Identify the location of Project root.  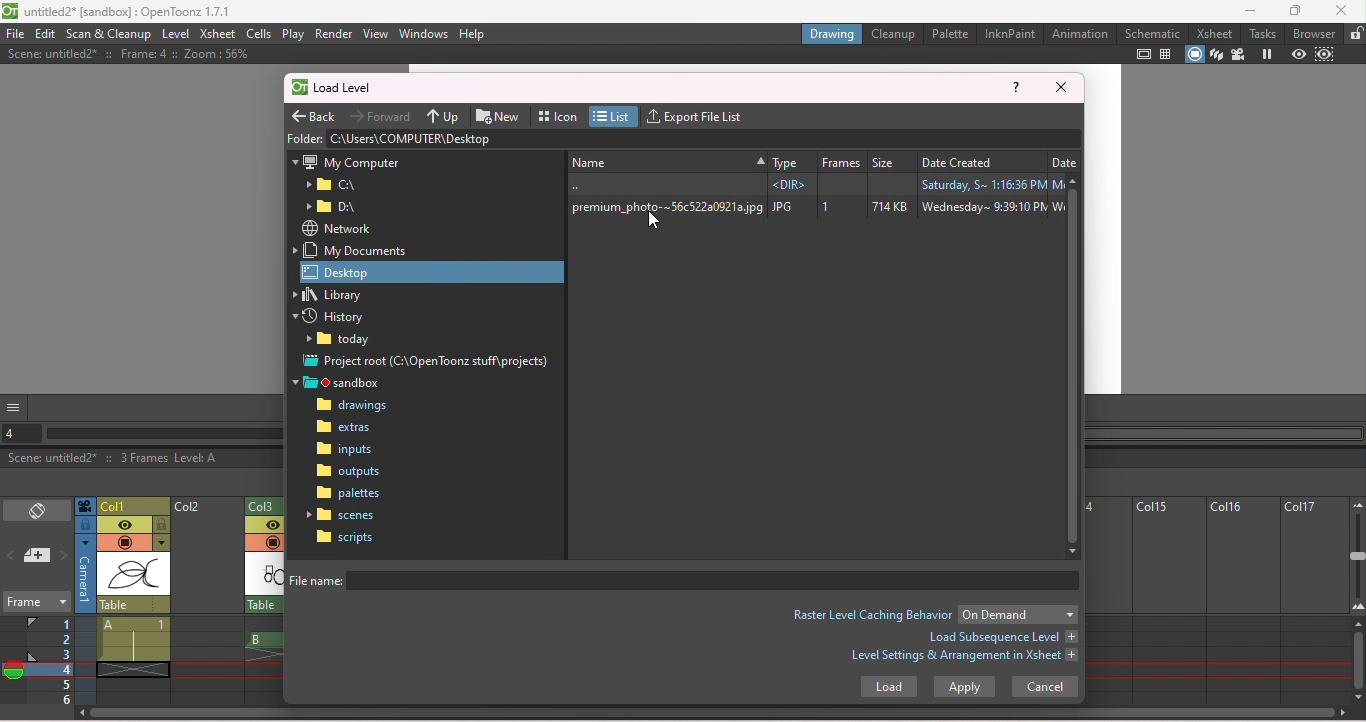
(428, 363).